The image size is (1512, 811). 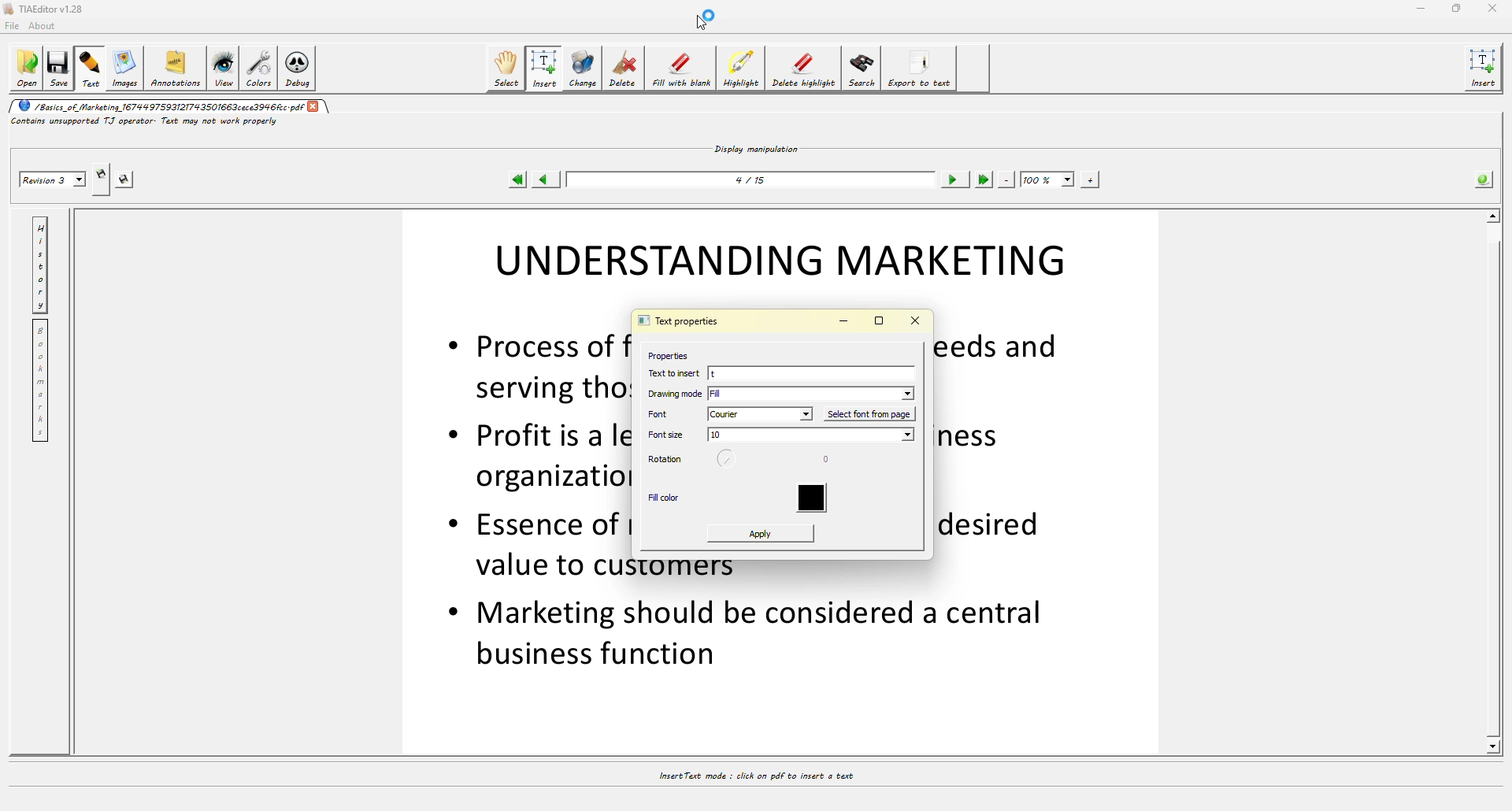 What do you see at coordinates (259, 67) in the screenshot?
I see `colors` at bounding box center [259, 67].